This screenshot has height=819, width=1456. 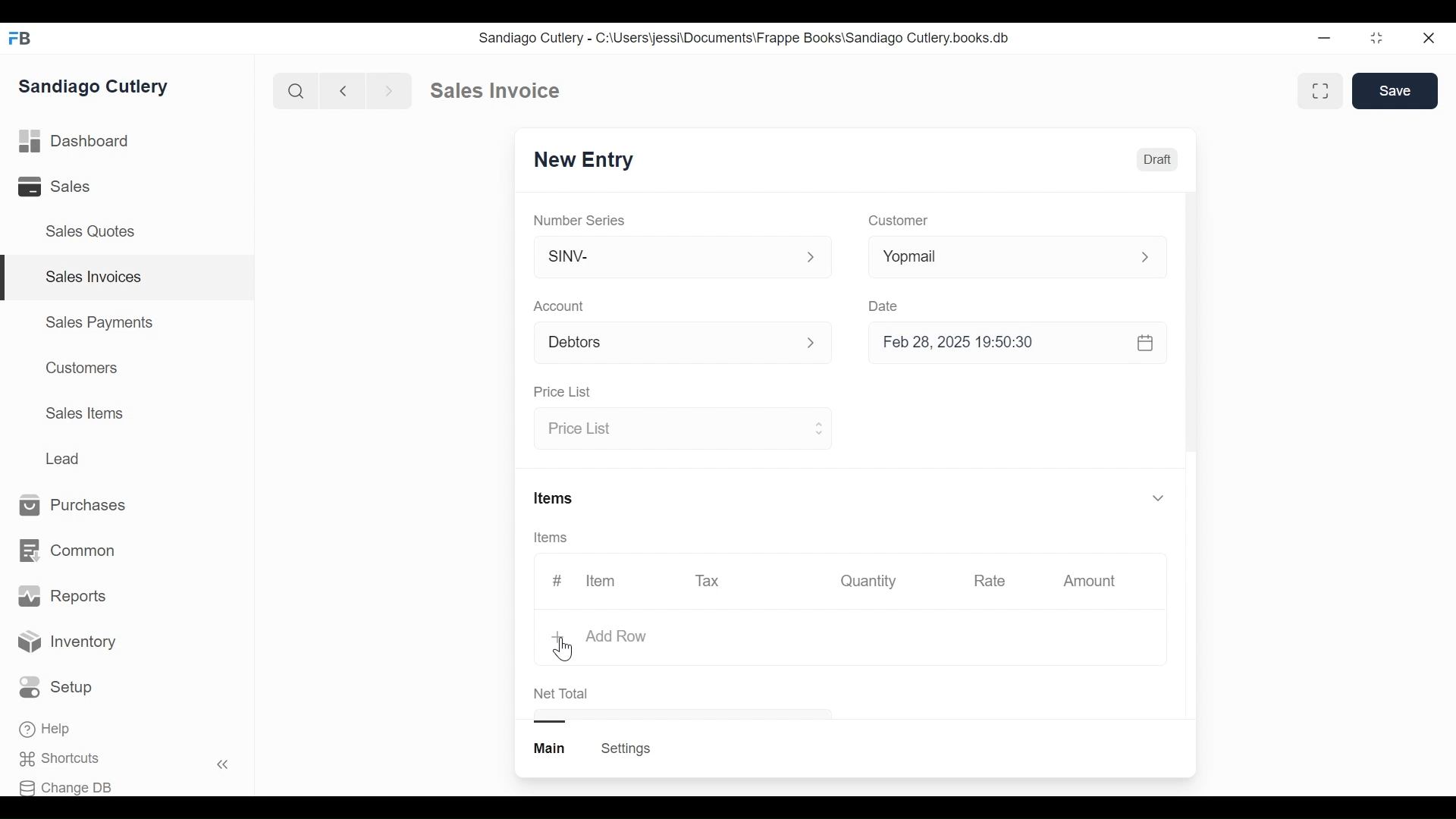 I want to click on «, so click(x=223, y=767).